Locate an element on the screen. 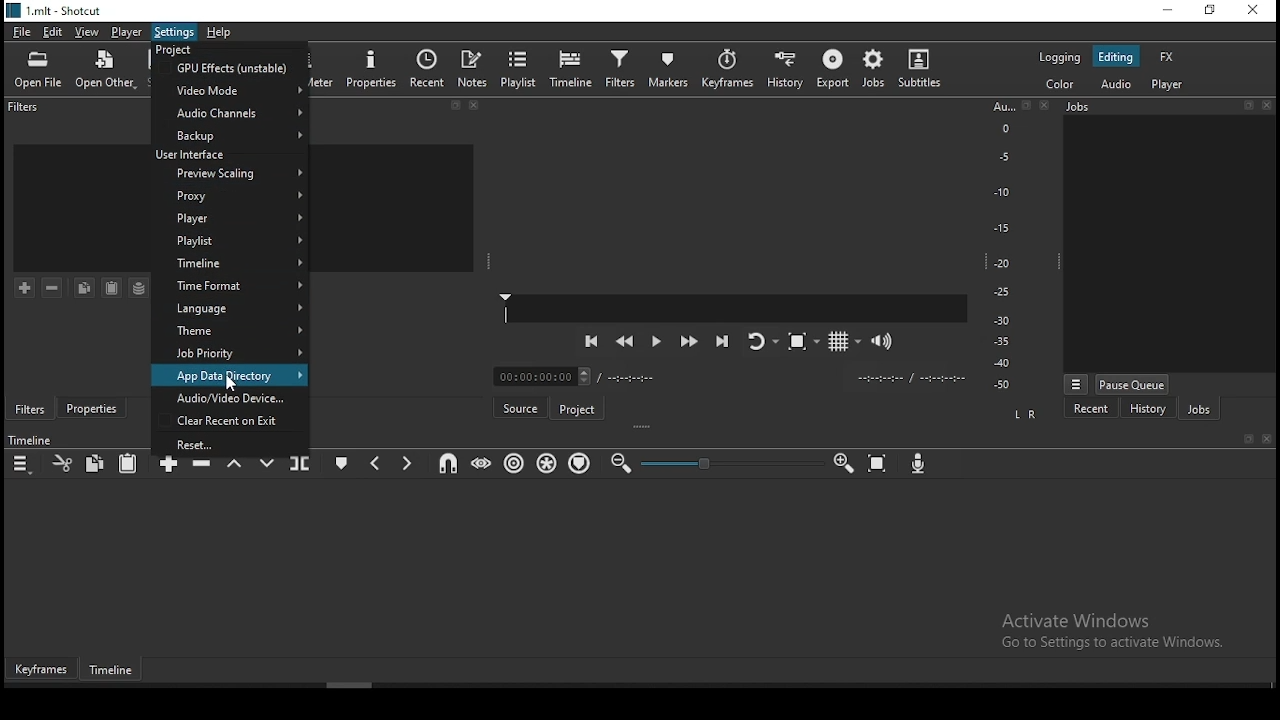 The width and height of the screenshot is (1280, 720). Bookmark is located at coordinates (1247, 104).